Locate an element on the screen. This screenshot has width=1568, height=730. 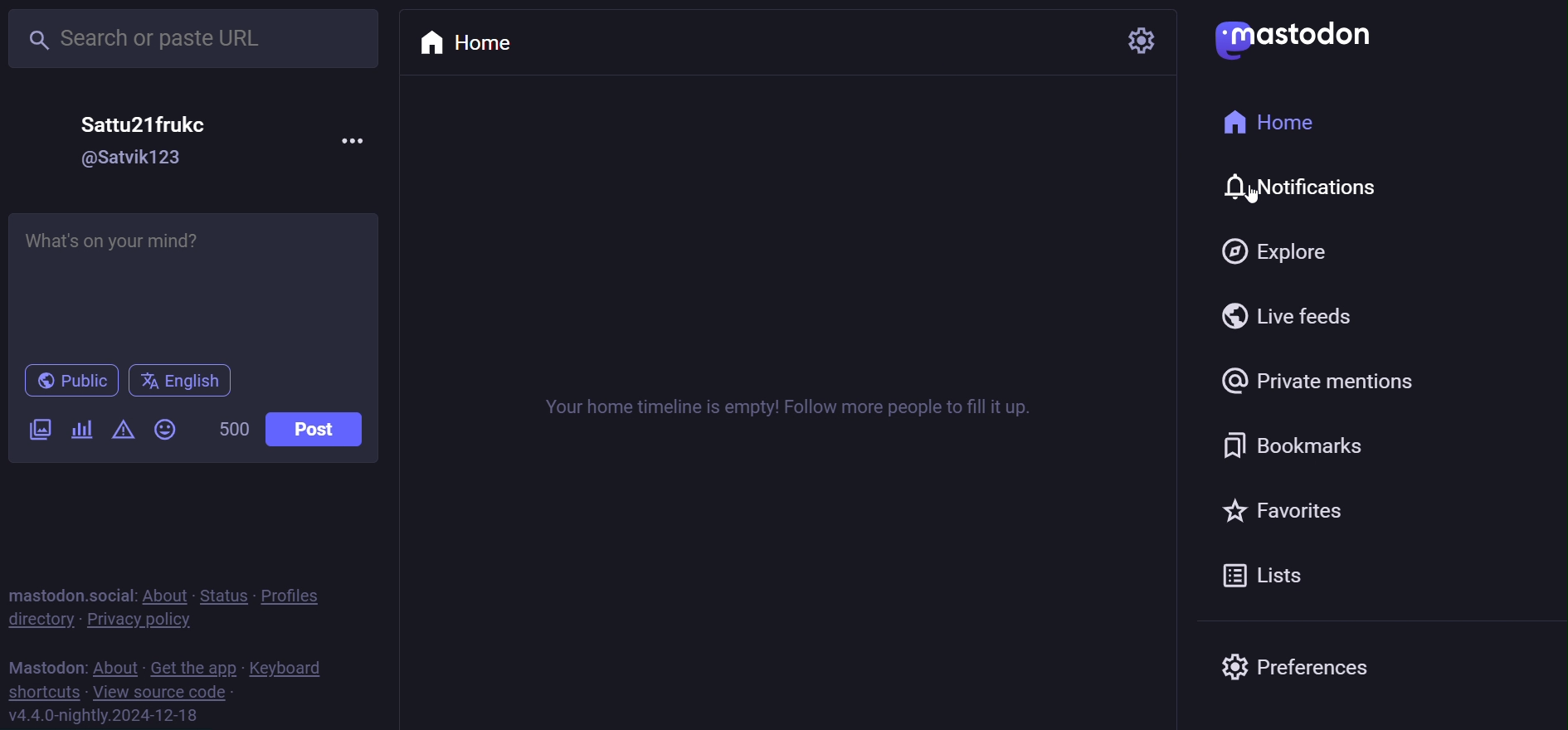
directory is located at coordinates (40, 620).